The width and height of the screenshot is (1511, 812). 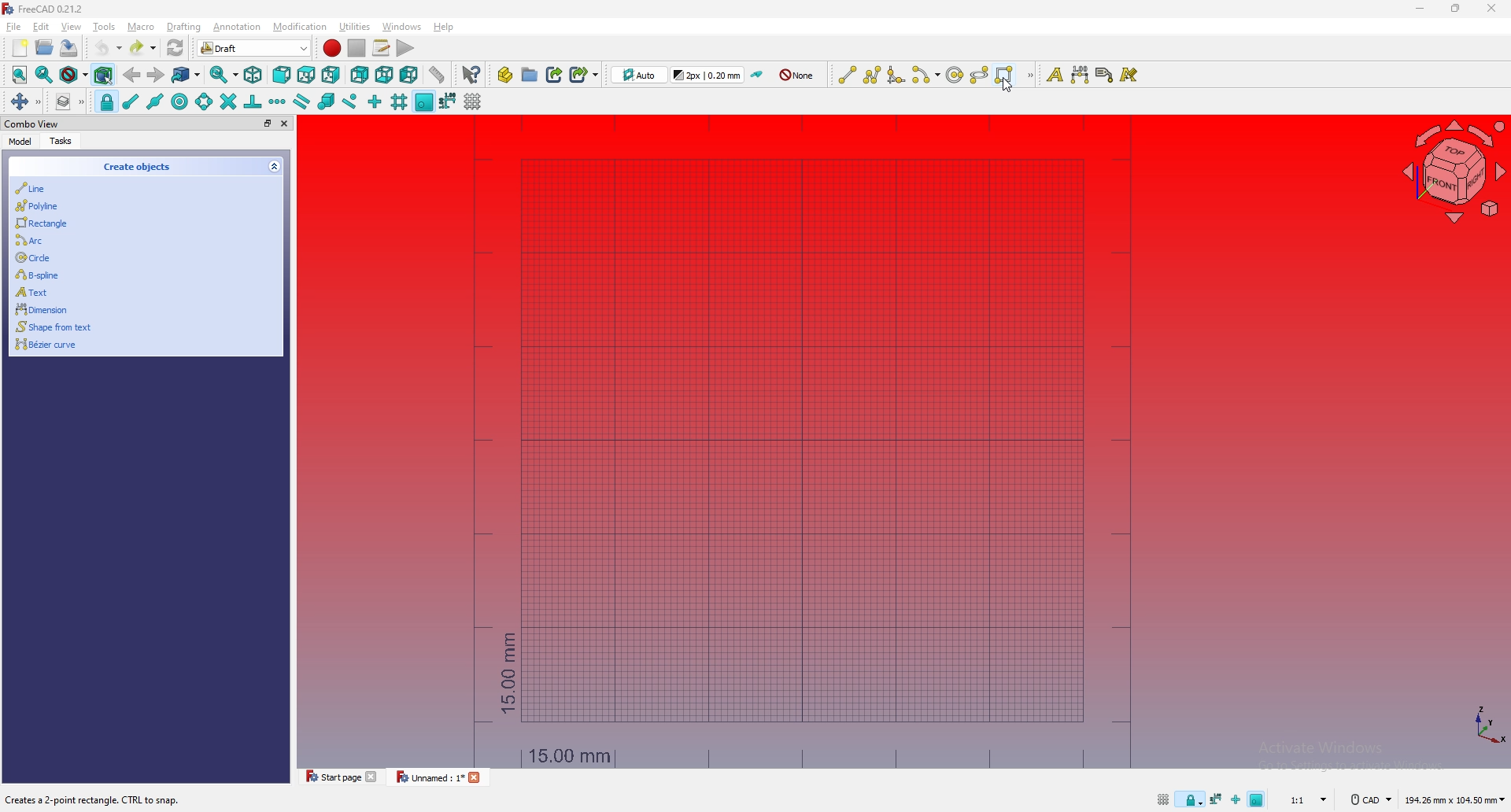 What do you see at coordinates (144, 47) in the screenshot?
I see `redo` at bounding box center [144, 47].